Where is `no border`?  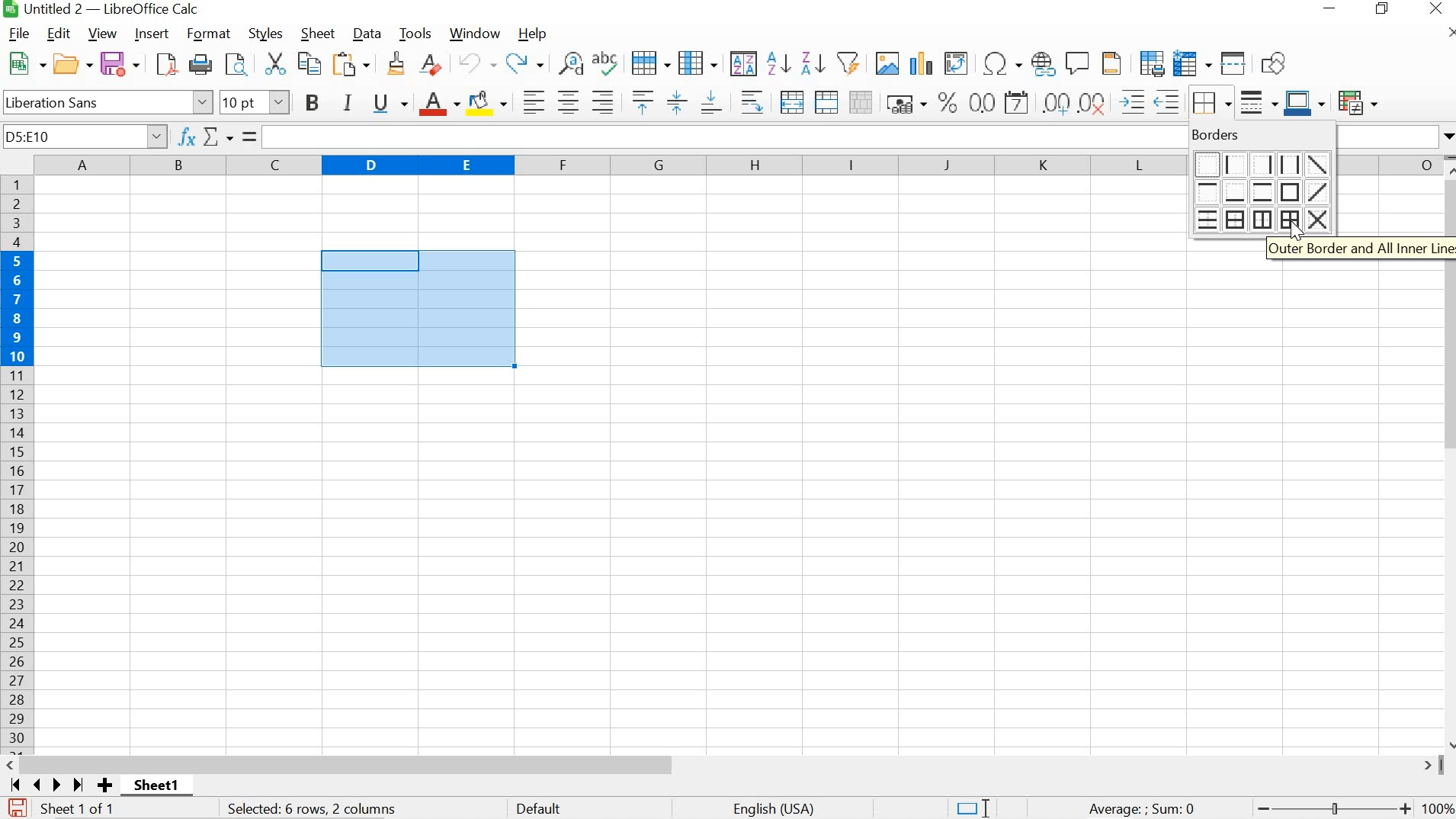 no border is located at coordinates (1205, 162).